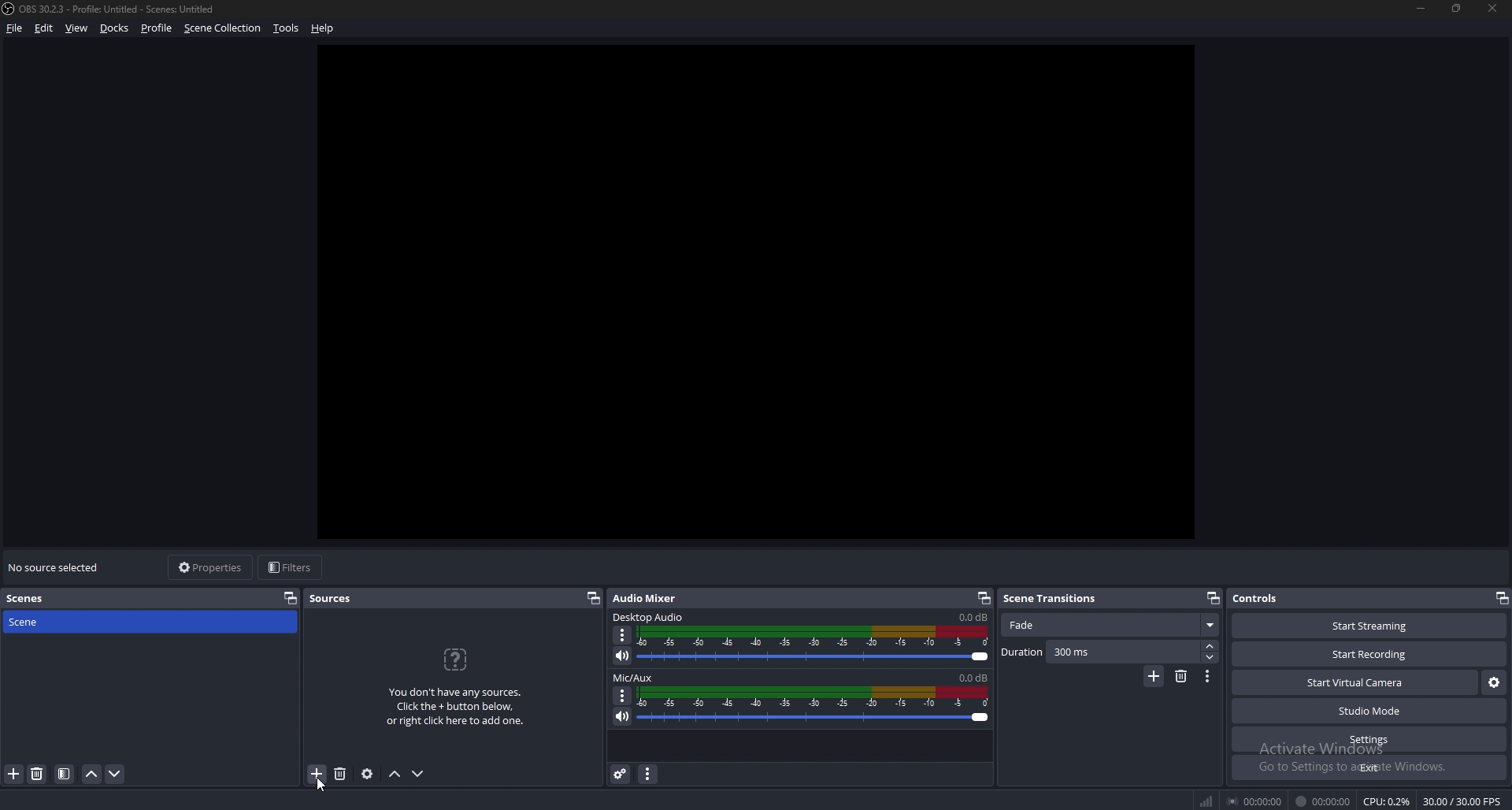 This screenshot has height=810, width=1512. Describe the element at coordinates (454, 687) in the screenshot. I see `You don't have any sources.
Click the + button below,
or right click here to add one.` at that location.